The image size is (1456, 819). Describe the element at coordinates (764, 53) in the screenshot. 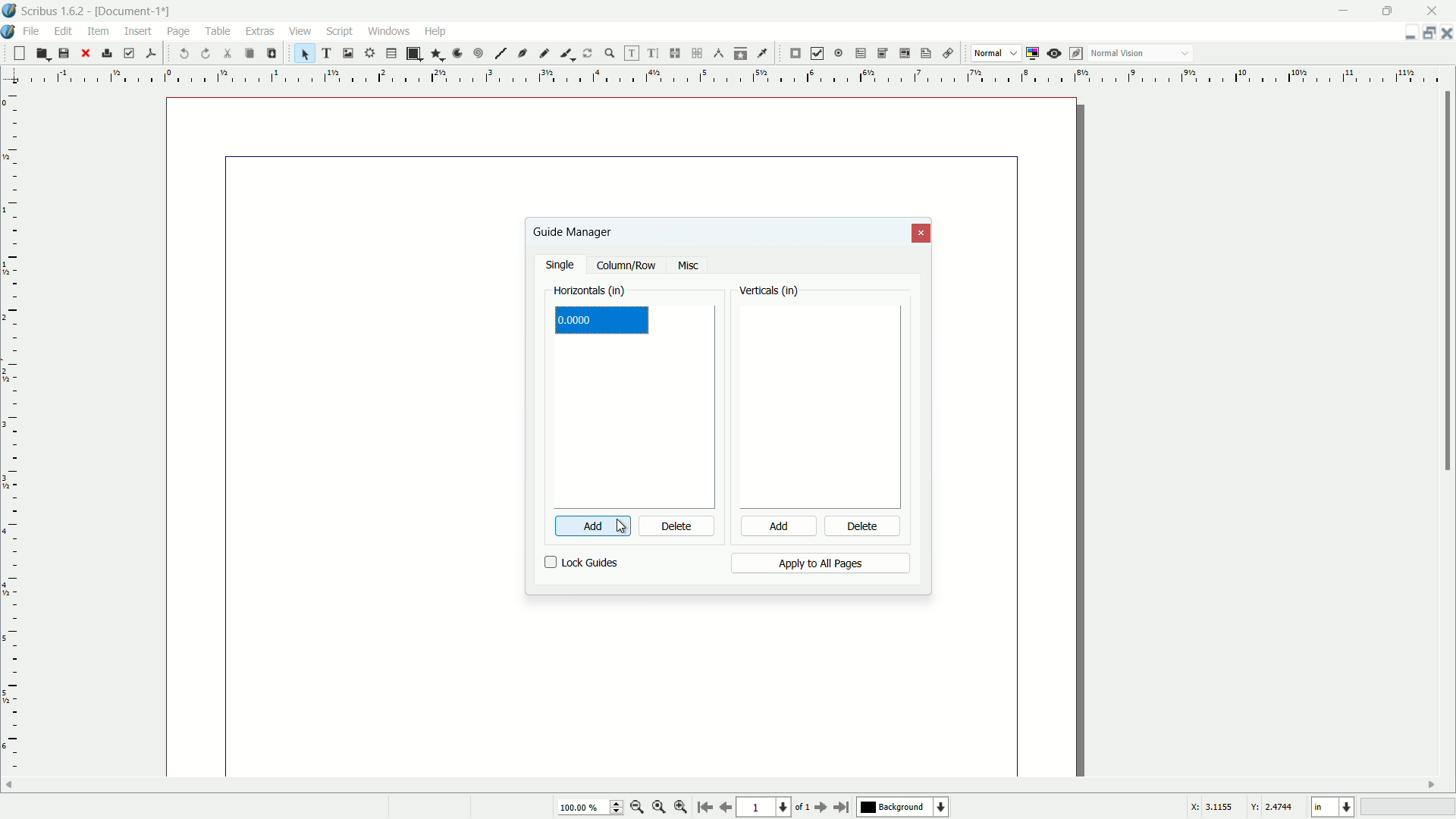

I see `eye dropper` at that location.